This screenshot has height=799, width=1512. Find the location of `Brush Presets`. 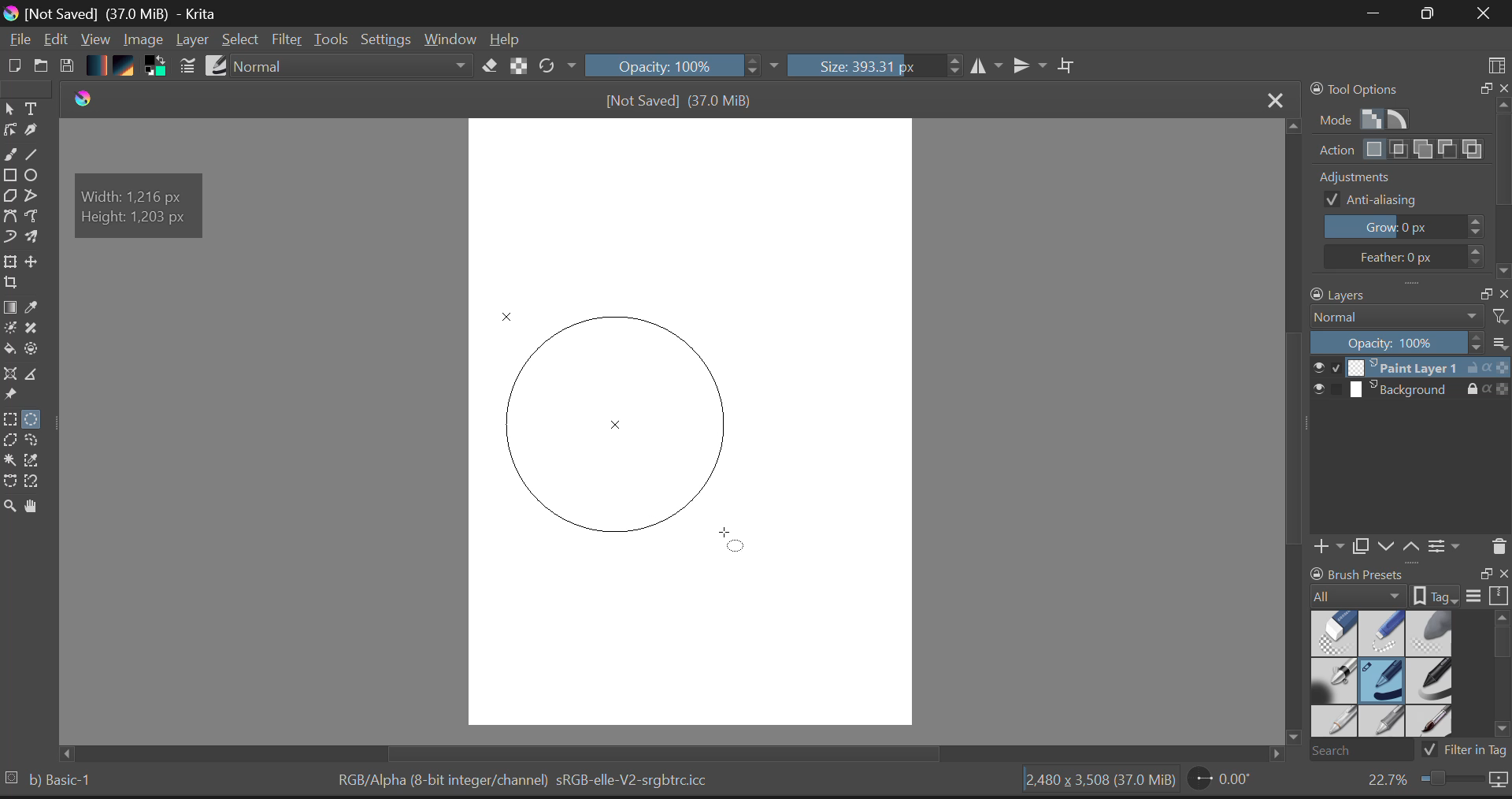

Brush Presets is located at coordinates (218, 65).